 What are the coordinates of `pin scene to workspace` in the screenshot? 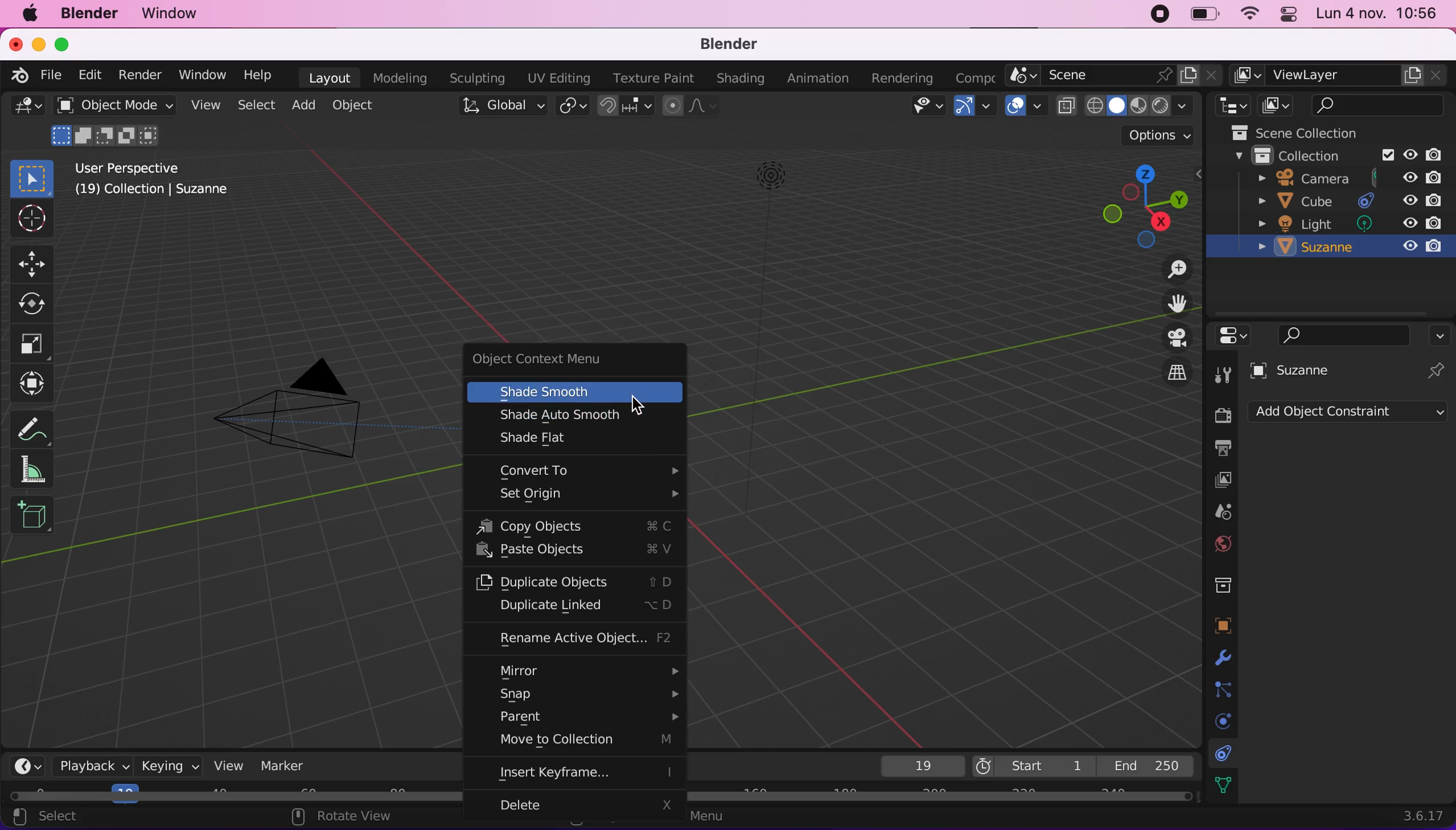 It's located at (1165, 78).